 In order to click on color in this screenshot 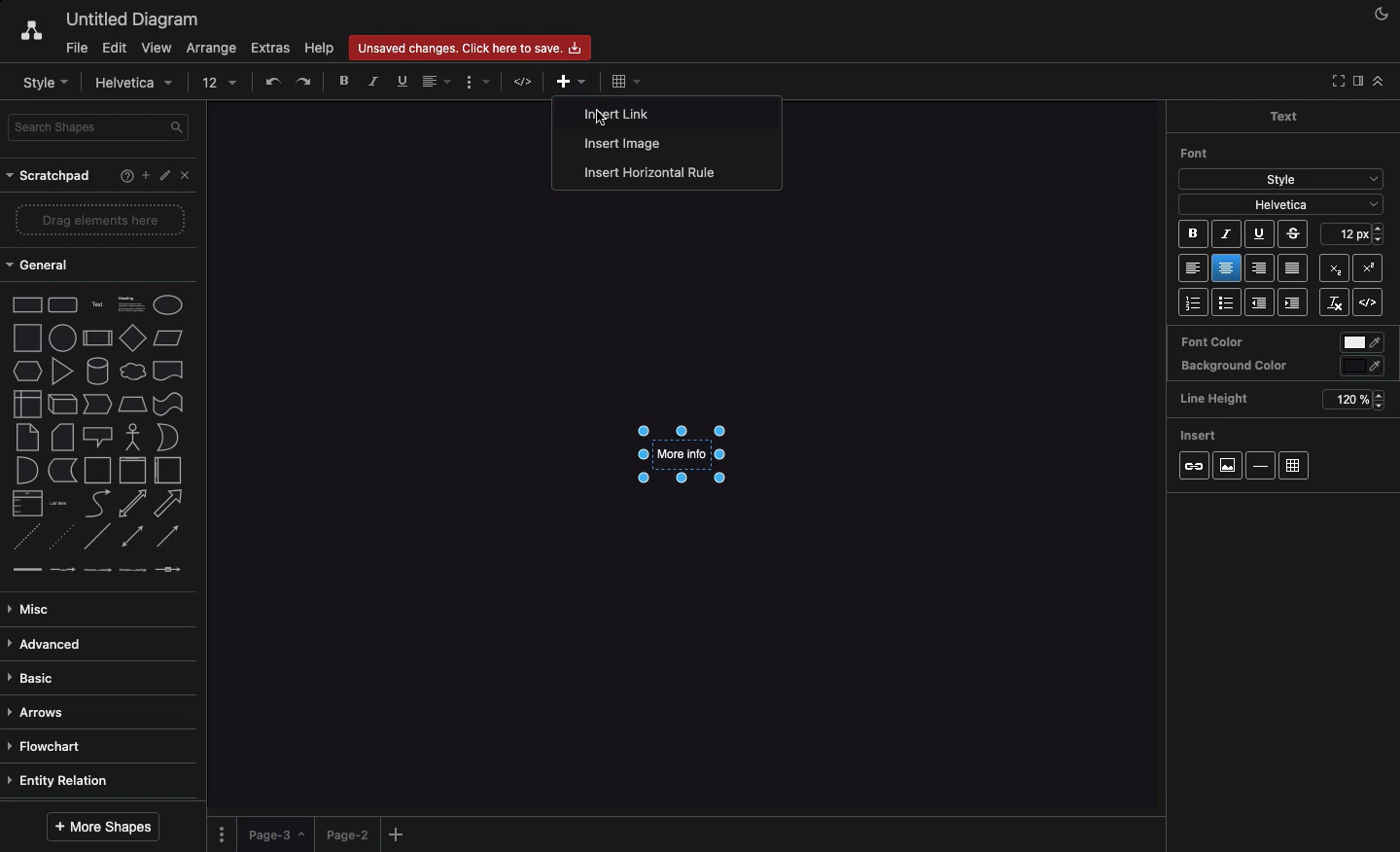, I will do `click(1364, 367)`.